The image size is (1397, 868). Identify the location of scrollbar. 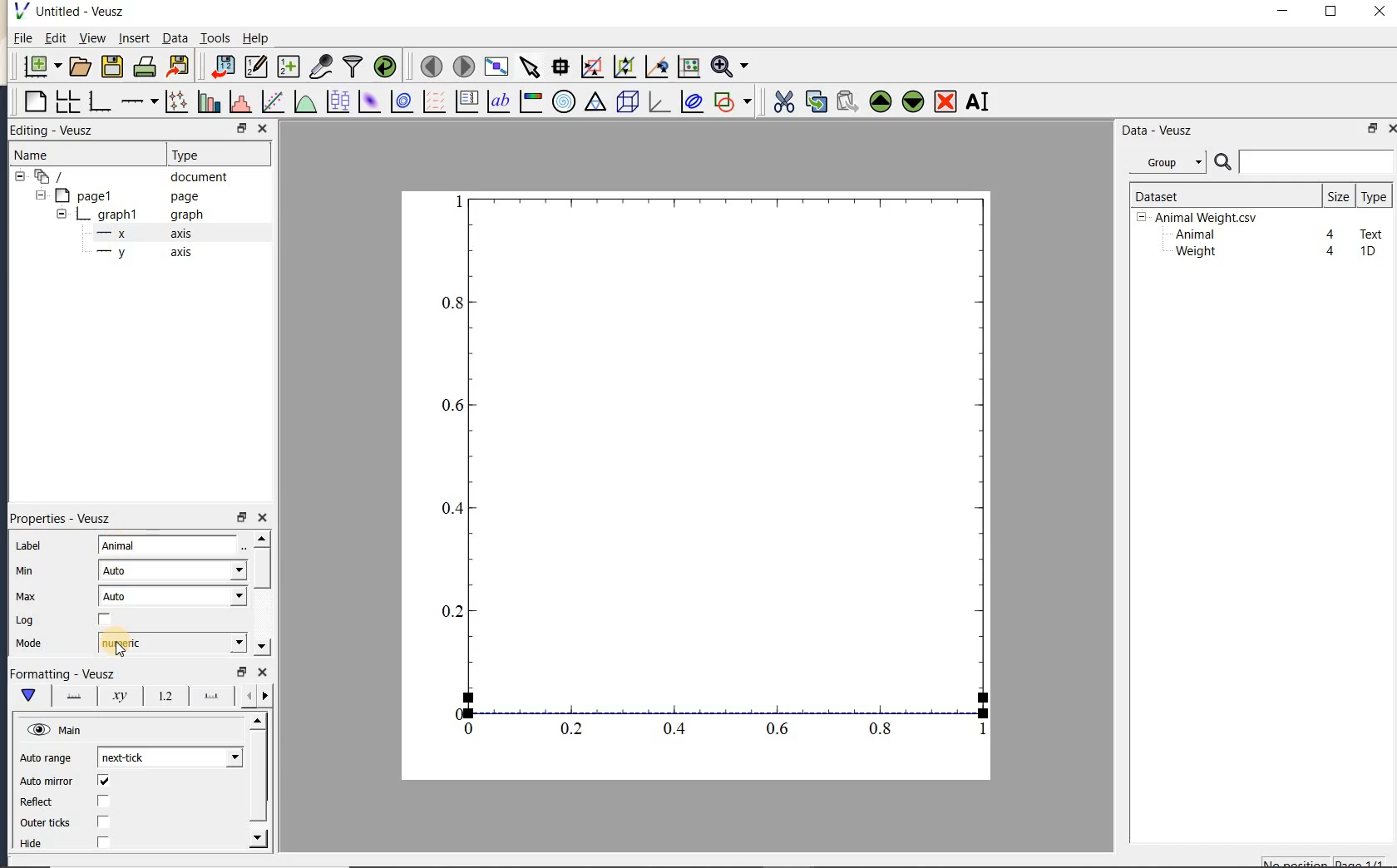
(260, 593).